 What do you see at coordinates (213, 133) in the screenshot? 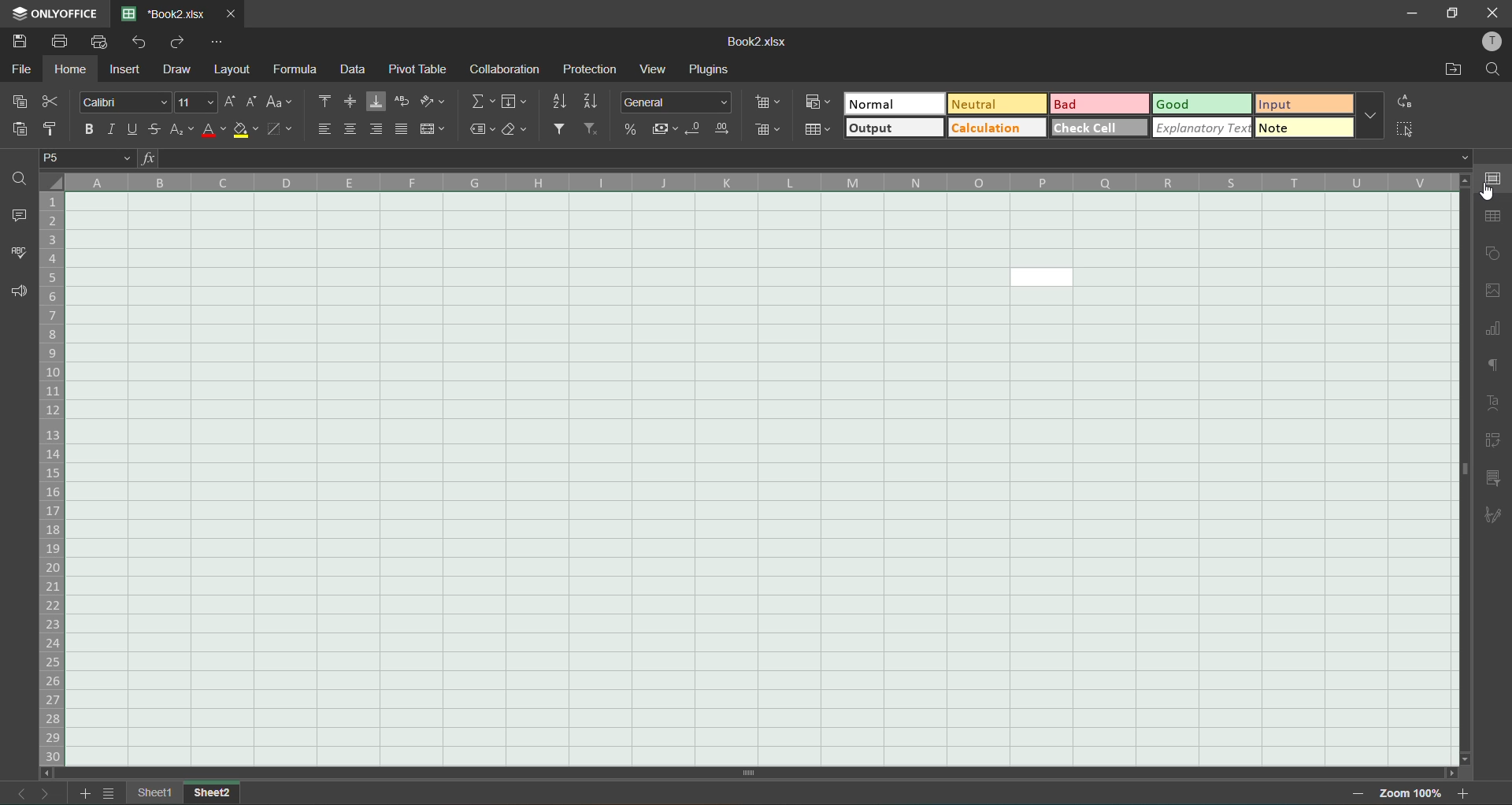
I see `font color` at bounding box center [213, 133].